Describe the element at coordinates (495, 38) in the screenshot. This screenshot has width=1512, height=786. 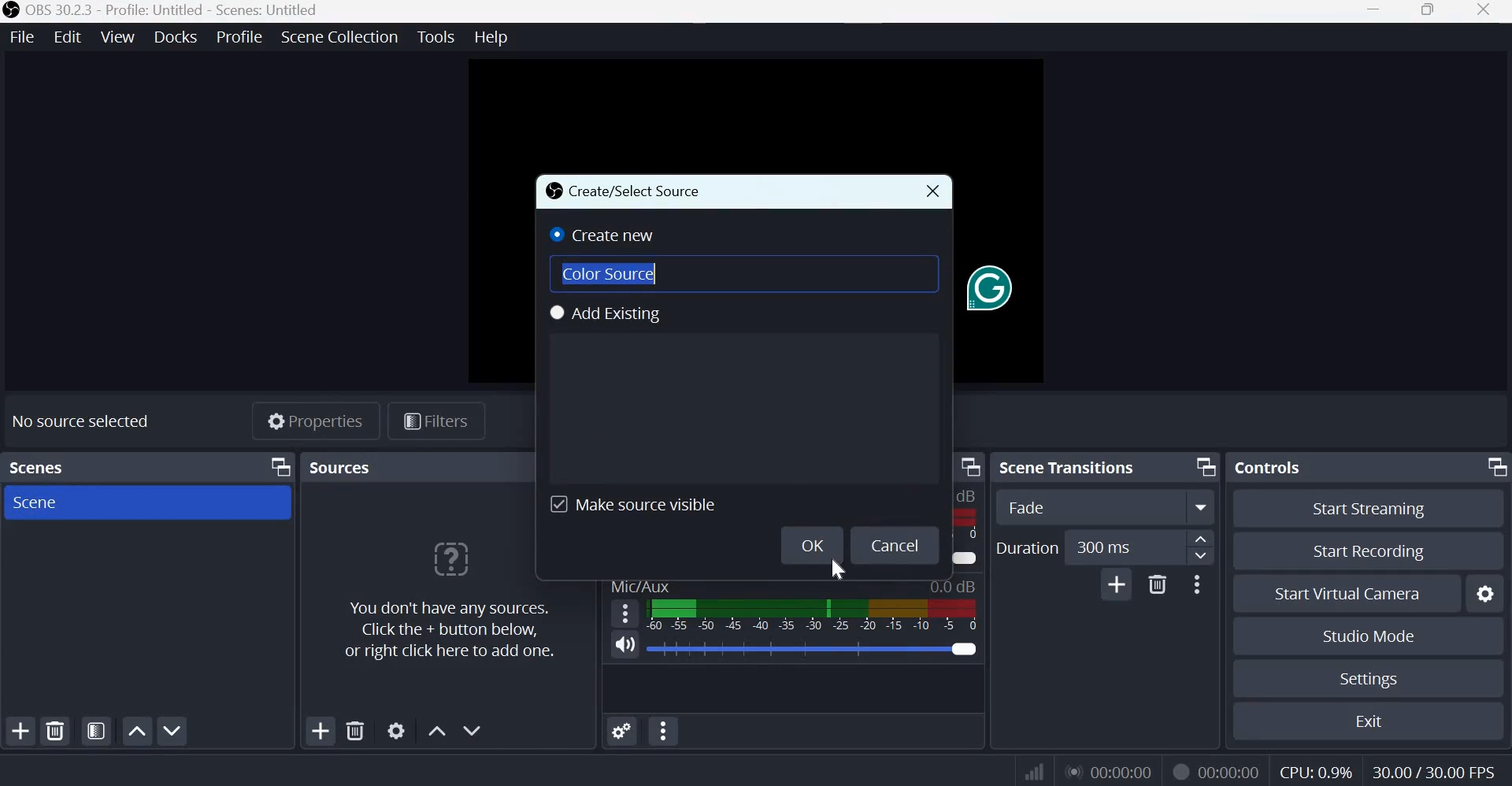
I see `Help` at that location.